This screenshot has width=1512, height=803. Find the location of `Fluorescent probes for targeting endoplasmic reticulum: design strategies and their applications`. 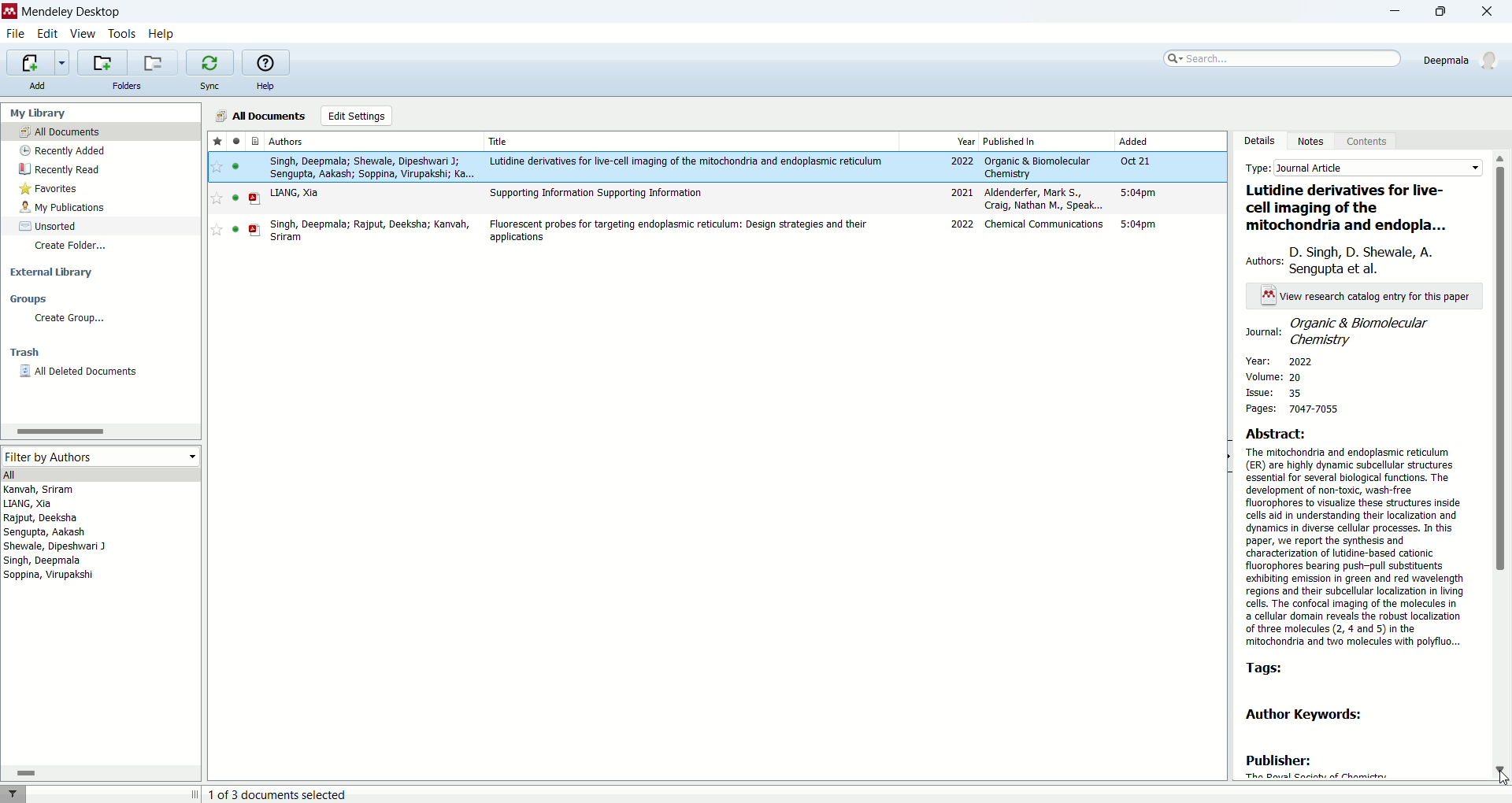

Fluorescent probes for targeting endoplasmic reticulum: design strategies and their applications is located at coordinates (677, 231).